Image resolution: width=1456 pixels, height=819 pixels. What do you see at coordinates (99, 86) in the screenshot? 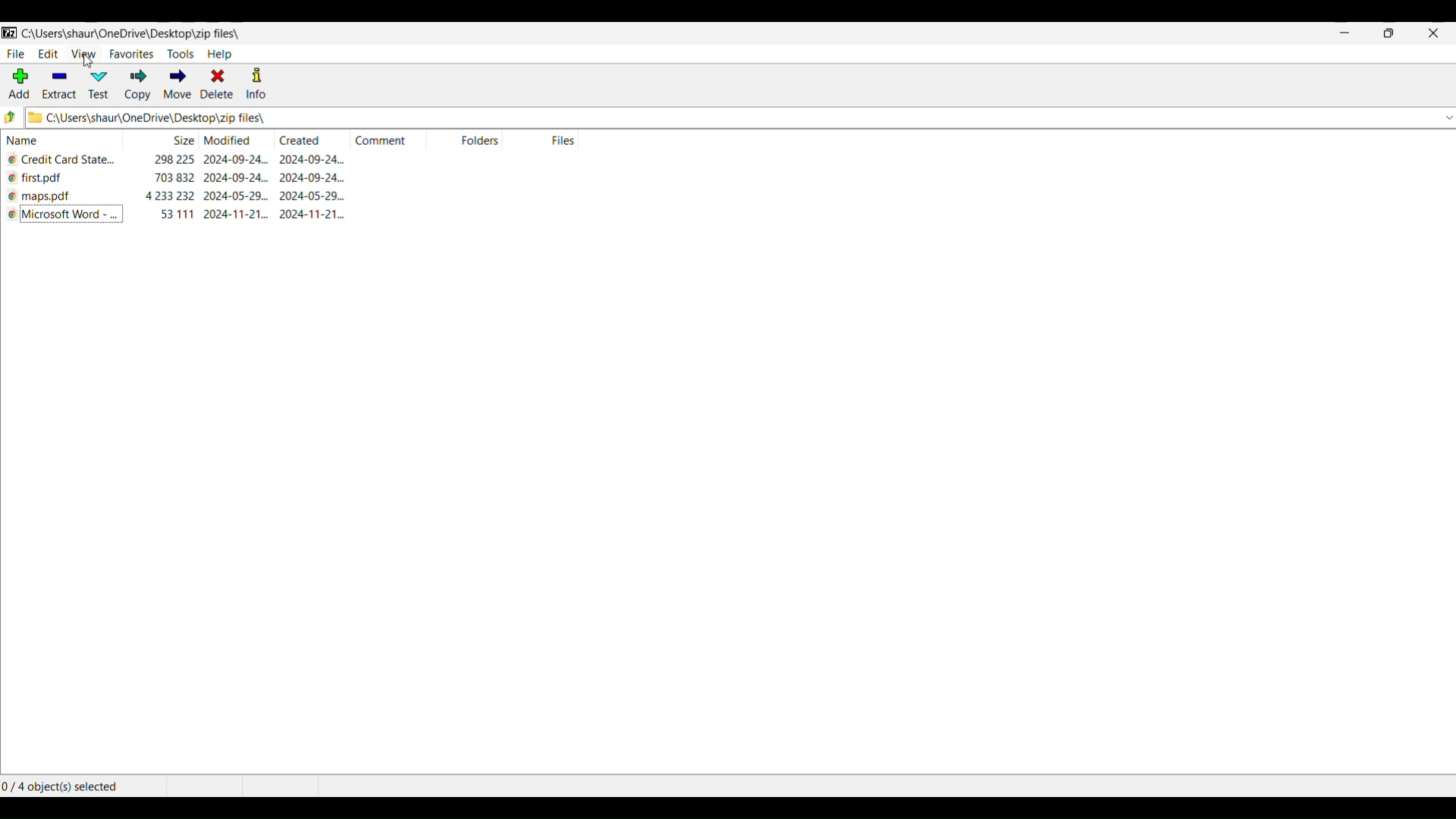
I see `test` at bounding box center [99, 86].